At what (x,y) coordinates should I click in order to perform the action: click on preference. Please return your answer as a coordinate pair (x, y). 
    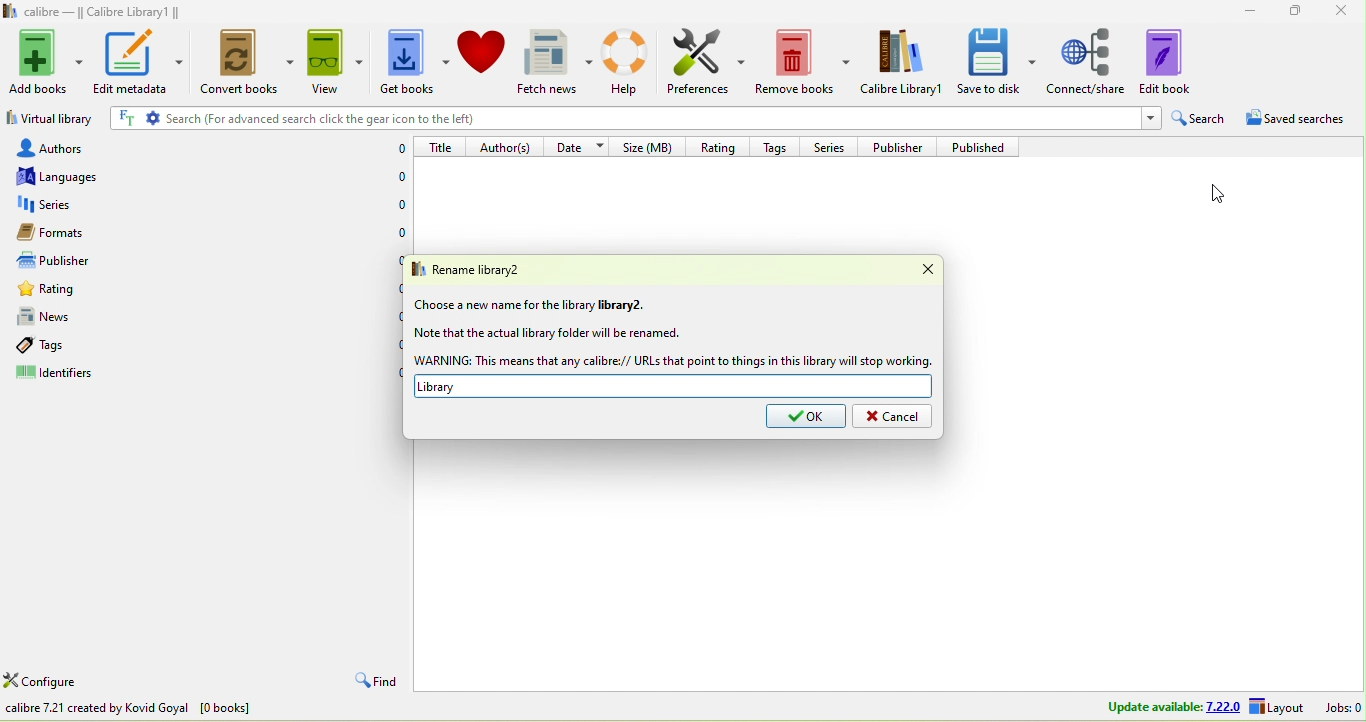
    Looking at the image, I should click on (707, 63).